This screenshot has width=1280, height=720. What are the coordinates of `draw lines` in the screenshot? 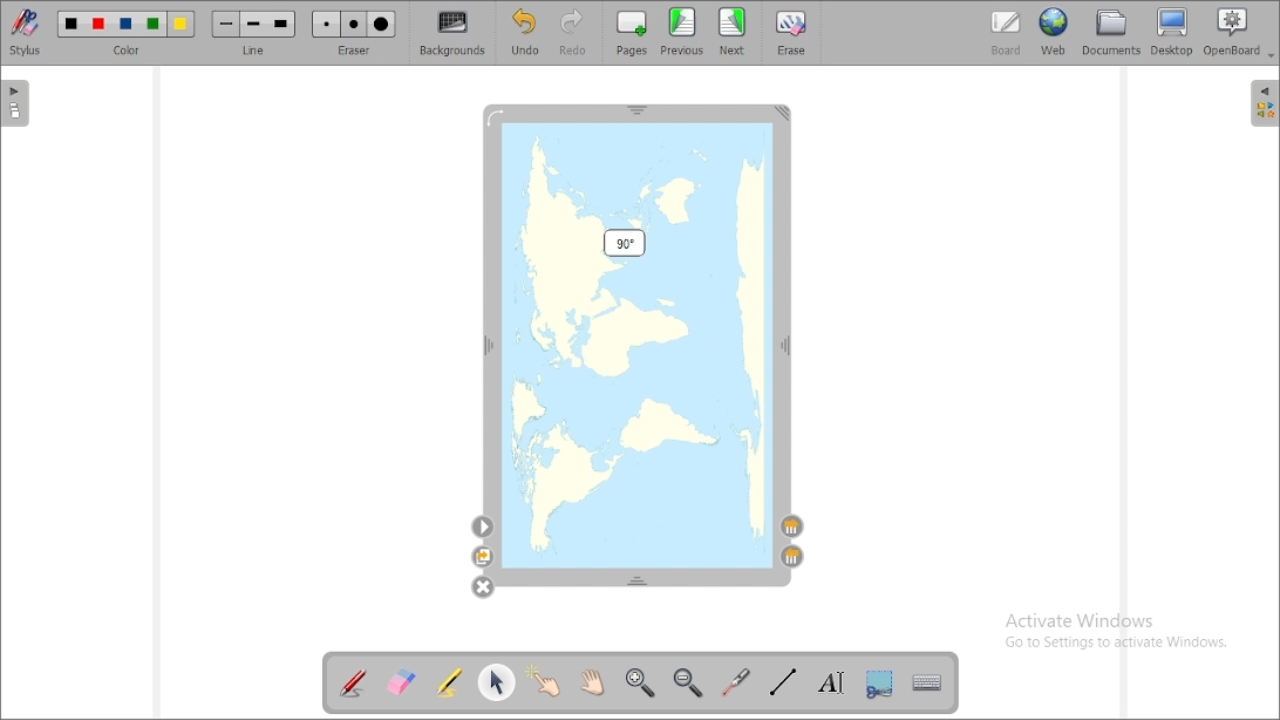 It's located at (782, 683).